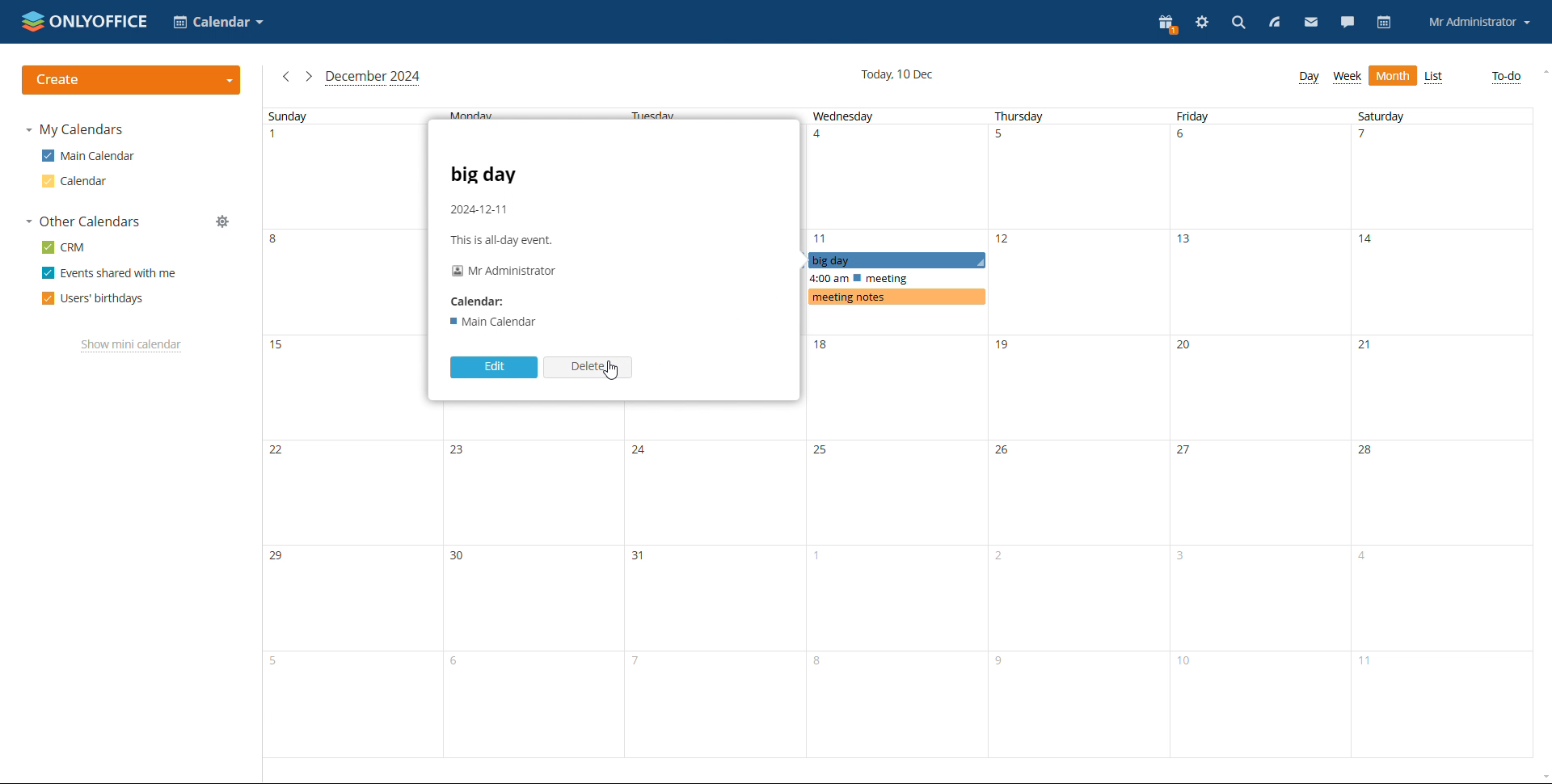  I want to click on current month, so click(373, 78).